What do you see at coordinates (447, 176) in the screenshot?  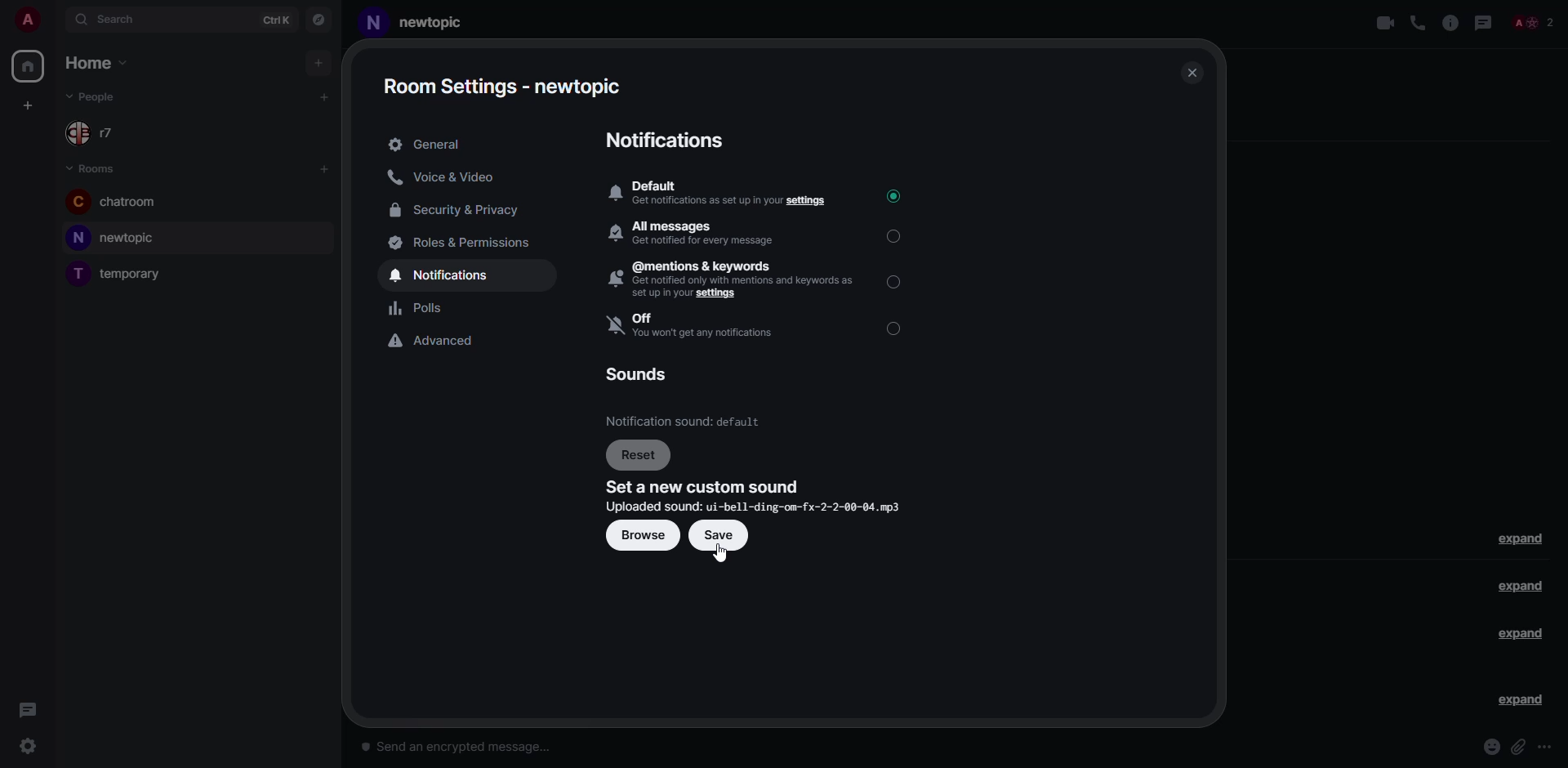 I see `voice` at bounding box center [447, 176].